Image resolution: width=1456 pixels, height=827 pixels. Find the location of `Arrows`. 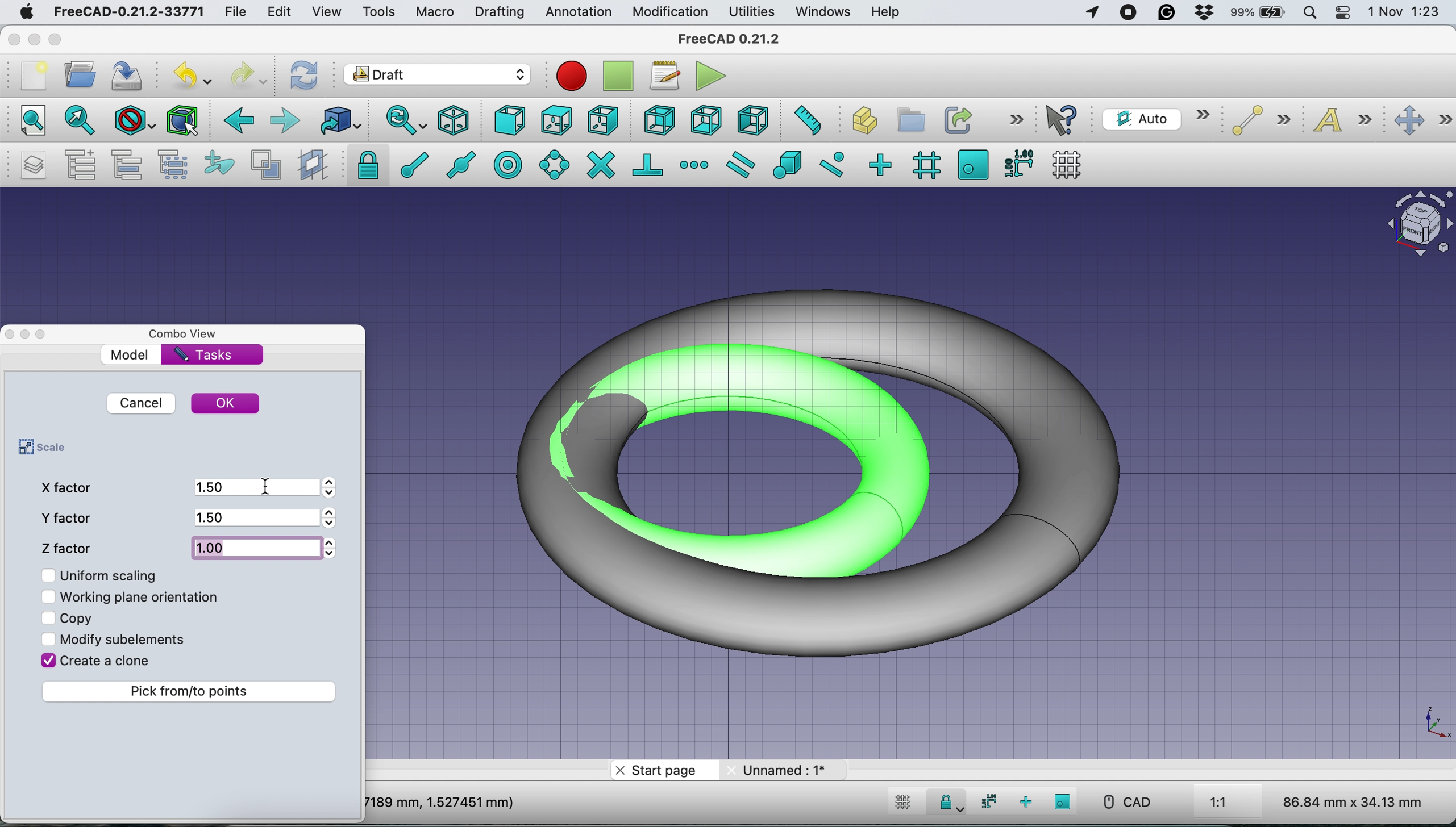

Arrows is located at coordinates (330, 548).